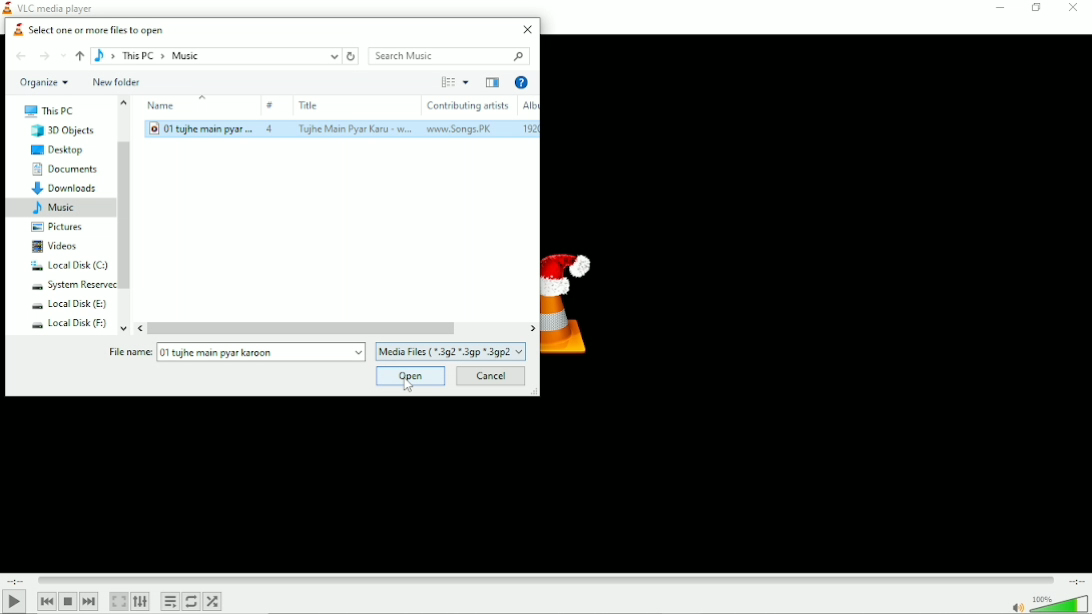  What do you see at coordinates (68, 324) in the screenshot?
I see `Local Disk (F:)` at bounding box center [68, 324].